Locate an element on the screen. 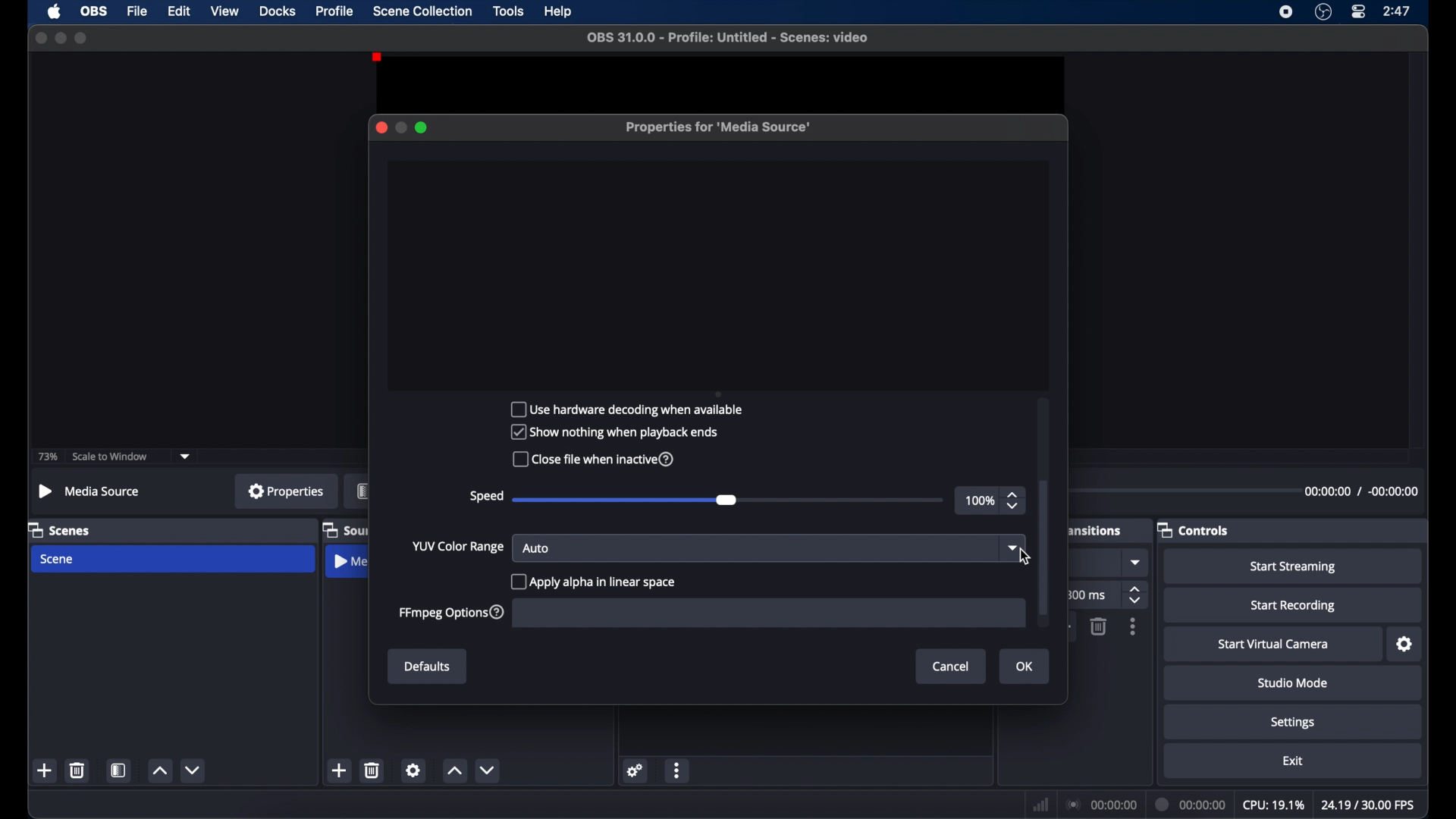 The width and height of the screenshot is (1456, 819). dropdown is located at coordinates (1137, 562).